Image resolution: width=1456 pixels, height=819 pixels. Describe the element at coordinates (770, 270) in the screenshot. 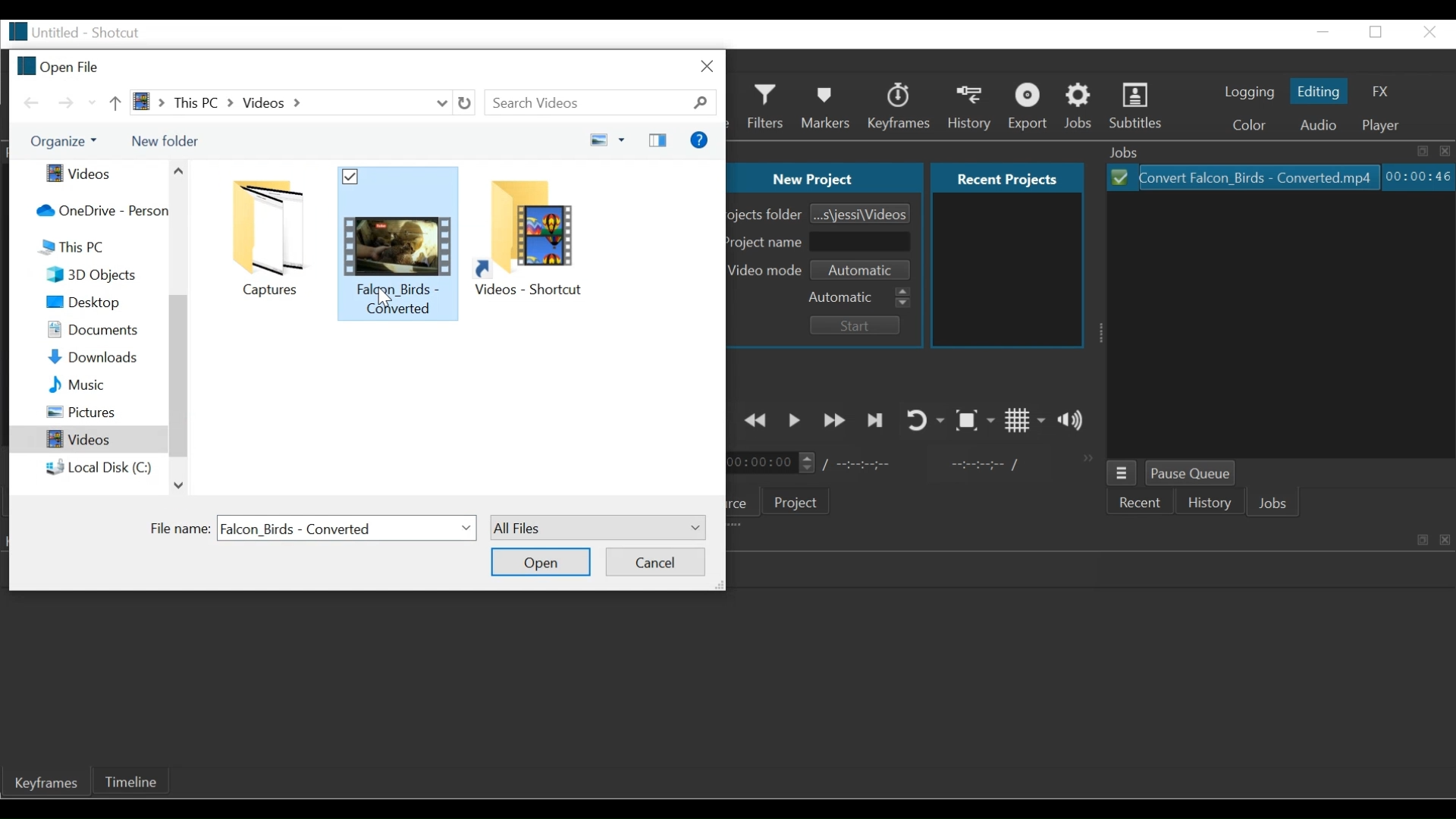

I see `Video mode` at that location.